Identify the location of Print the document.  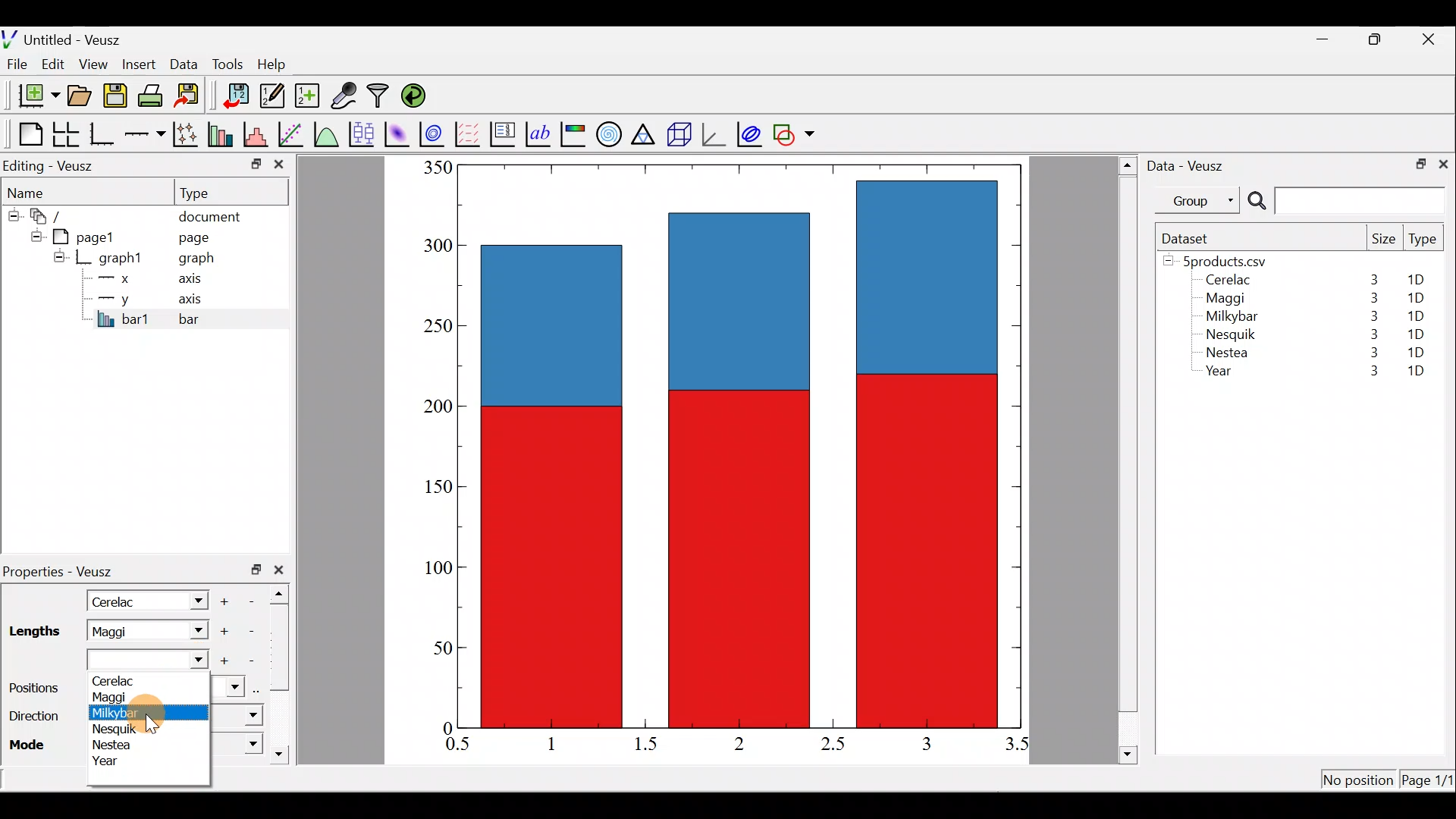
(155, 95).